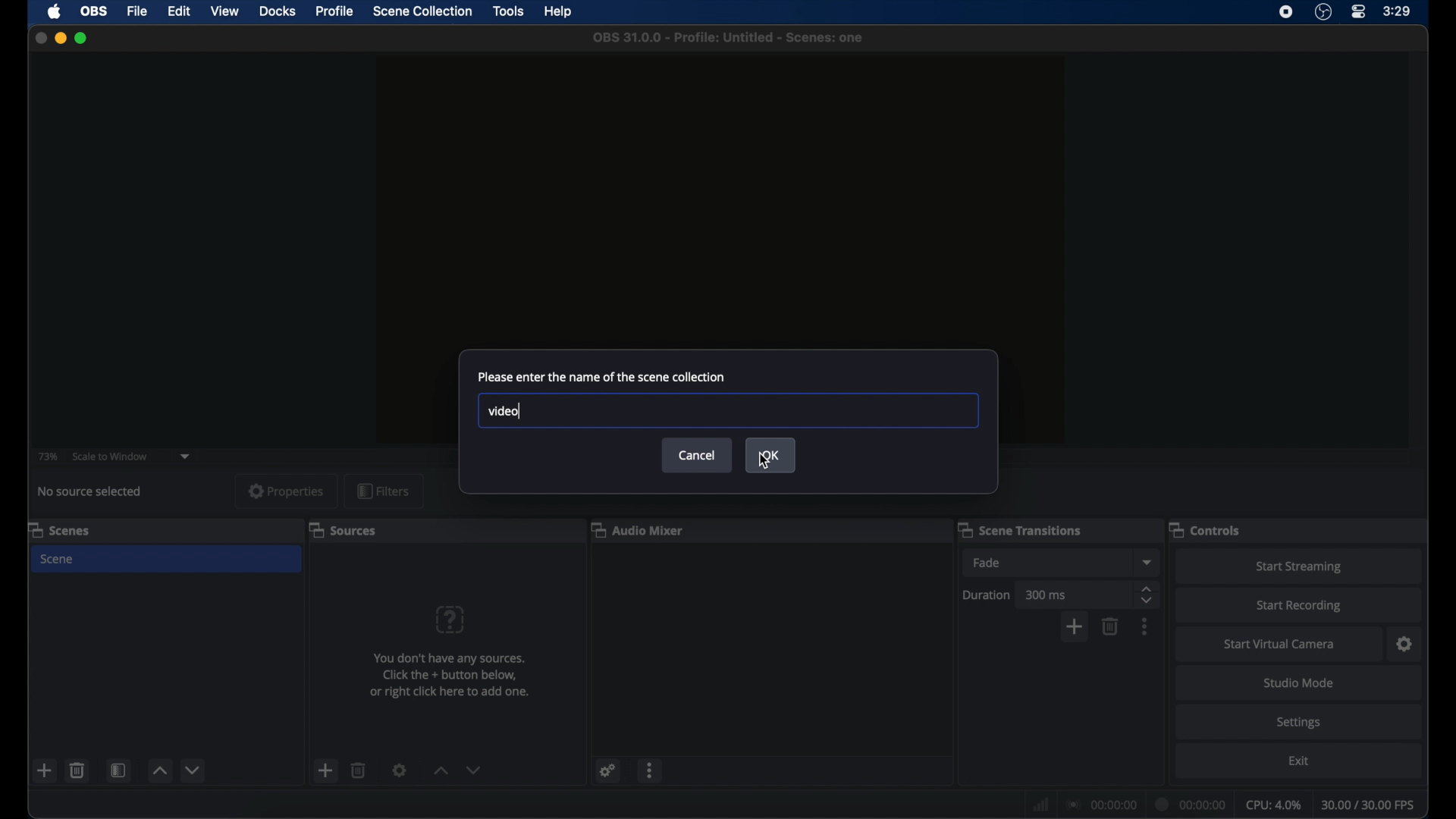 This screenshot has height=819, width=1456. I want to click on file, so click(136, 11).